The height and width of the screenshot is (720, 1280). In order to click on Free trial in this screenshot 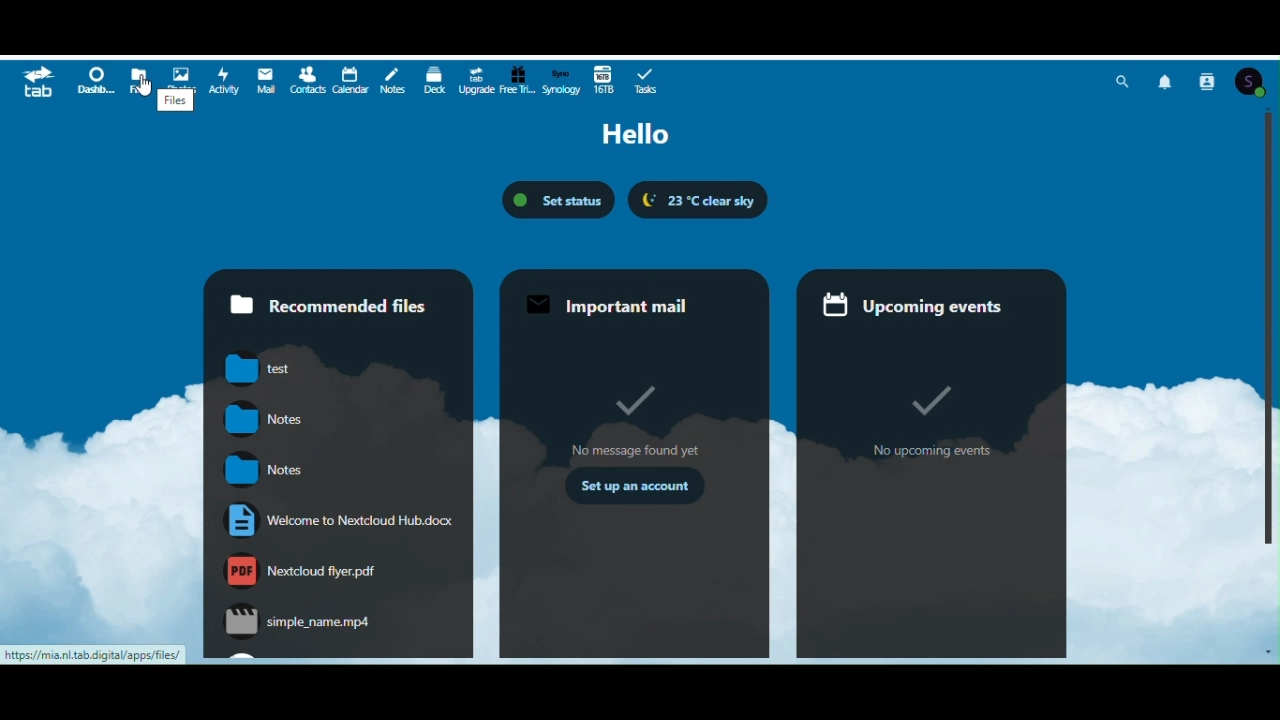, I will do `click(515, 80)`.